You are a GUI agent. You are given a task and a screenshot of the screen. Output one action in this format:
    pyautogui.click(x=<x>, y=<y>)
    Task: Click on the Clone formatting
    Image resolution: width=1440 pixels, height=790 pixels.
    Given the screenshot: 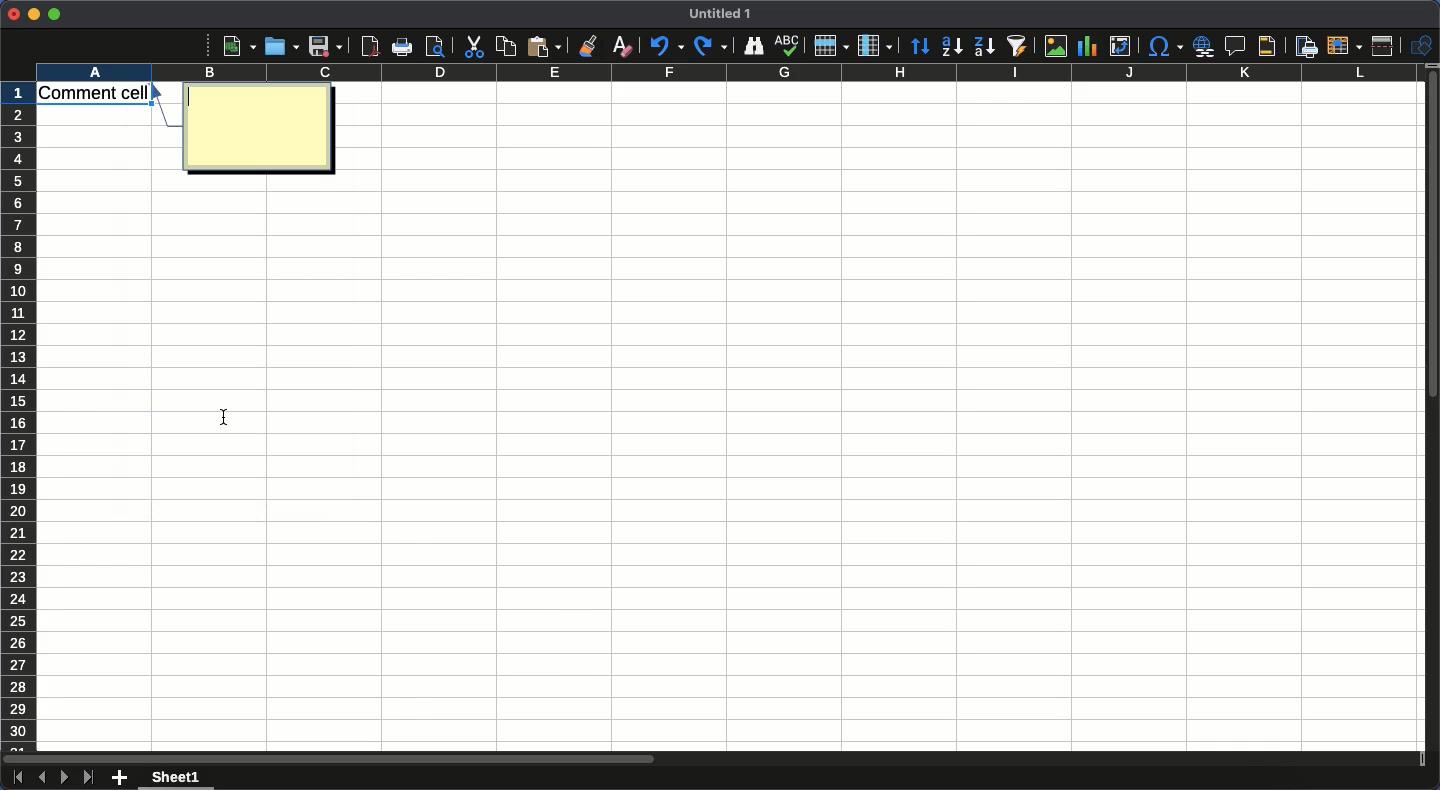 What is the action you would take?
    pyautogui.click(x=587, y=44)
    